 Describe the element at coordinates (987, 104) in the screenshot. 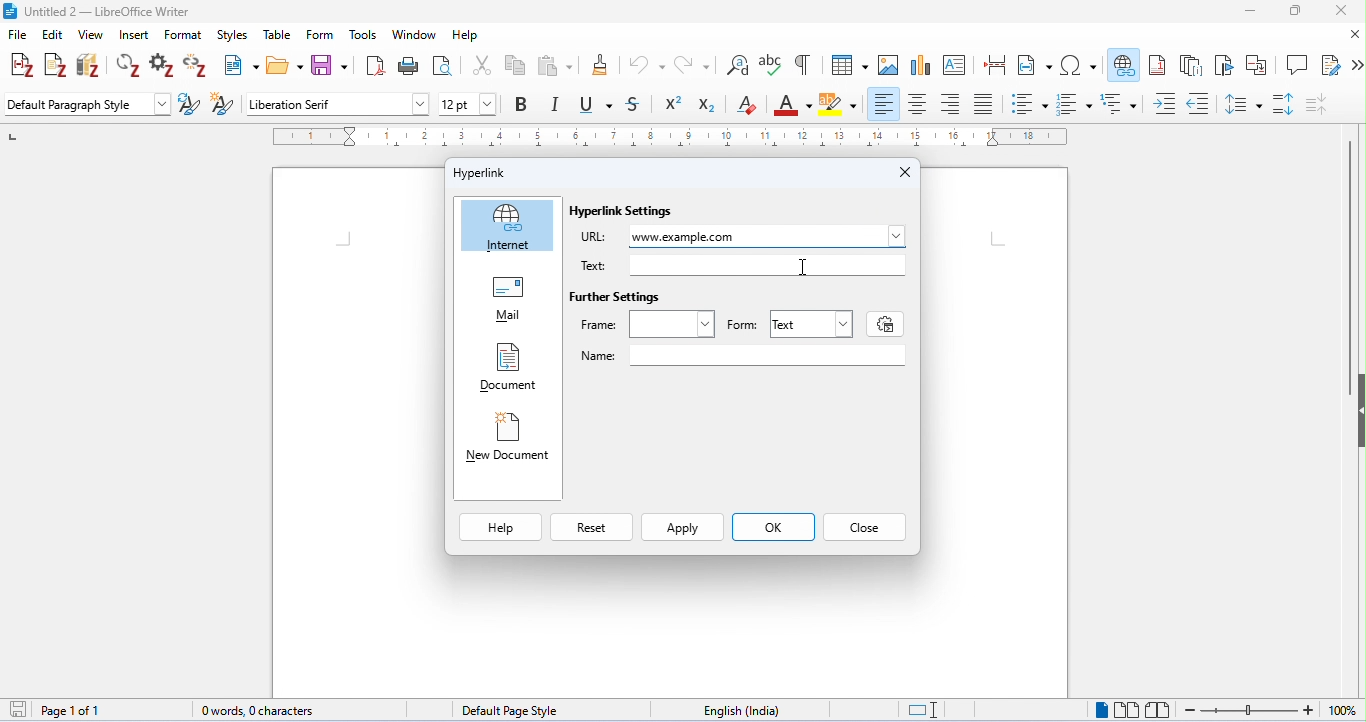

I see `justified` at that location.